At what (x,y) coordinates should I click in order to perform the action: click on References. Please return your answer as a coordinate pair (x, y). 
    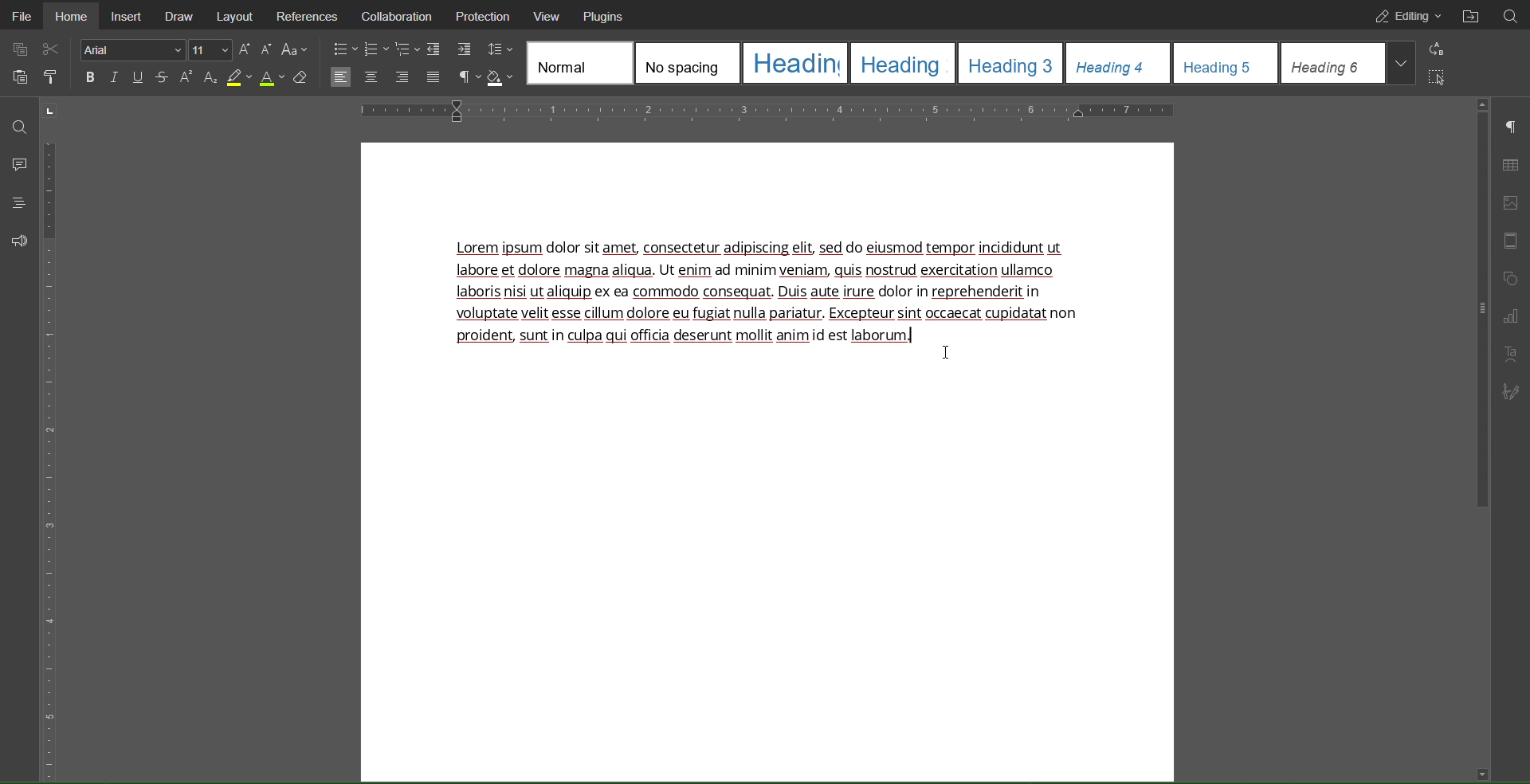
    Looking at the image, I should click on (308, 14).